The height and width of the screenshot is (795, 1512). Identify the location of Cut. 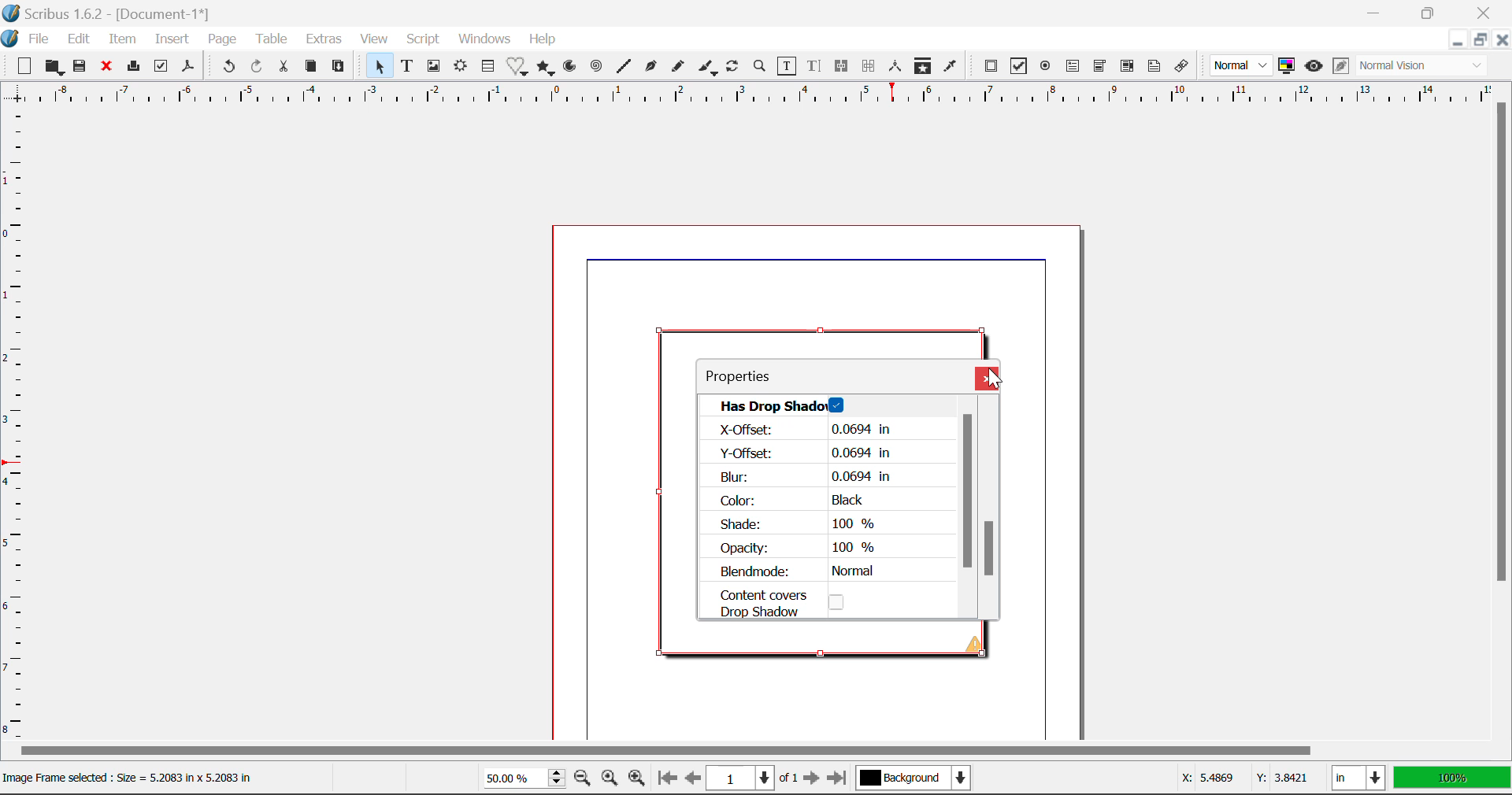
(283, 68).